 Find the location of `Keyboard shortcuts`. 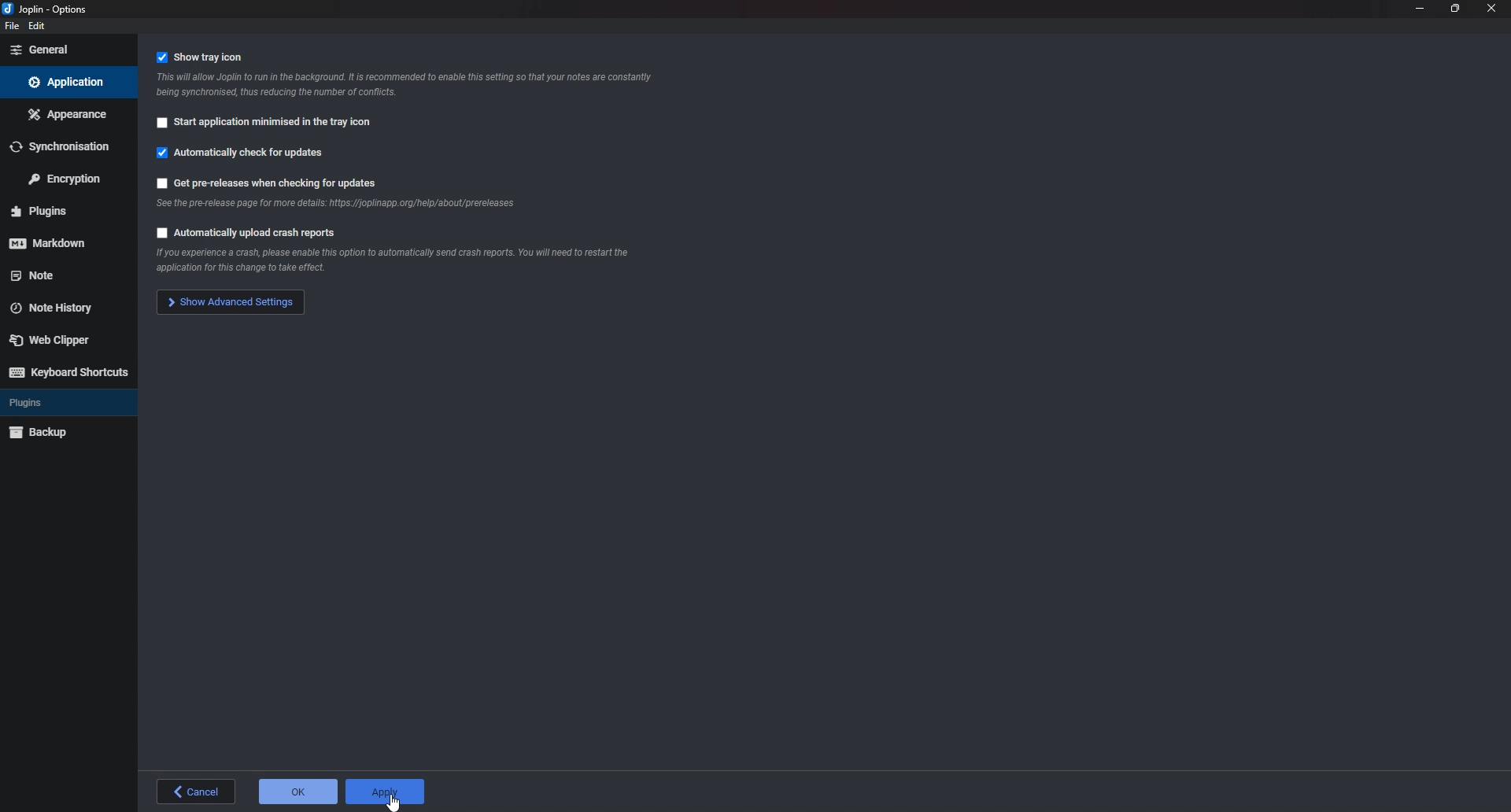

Keyboard shortcuts is located at coordinates (70, 372).